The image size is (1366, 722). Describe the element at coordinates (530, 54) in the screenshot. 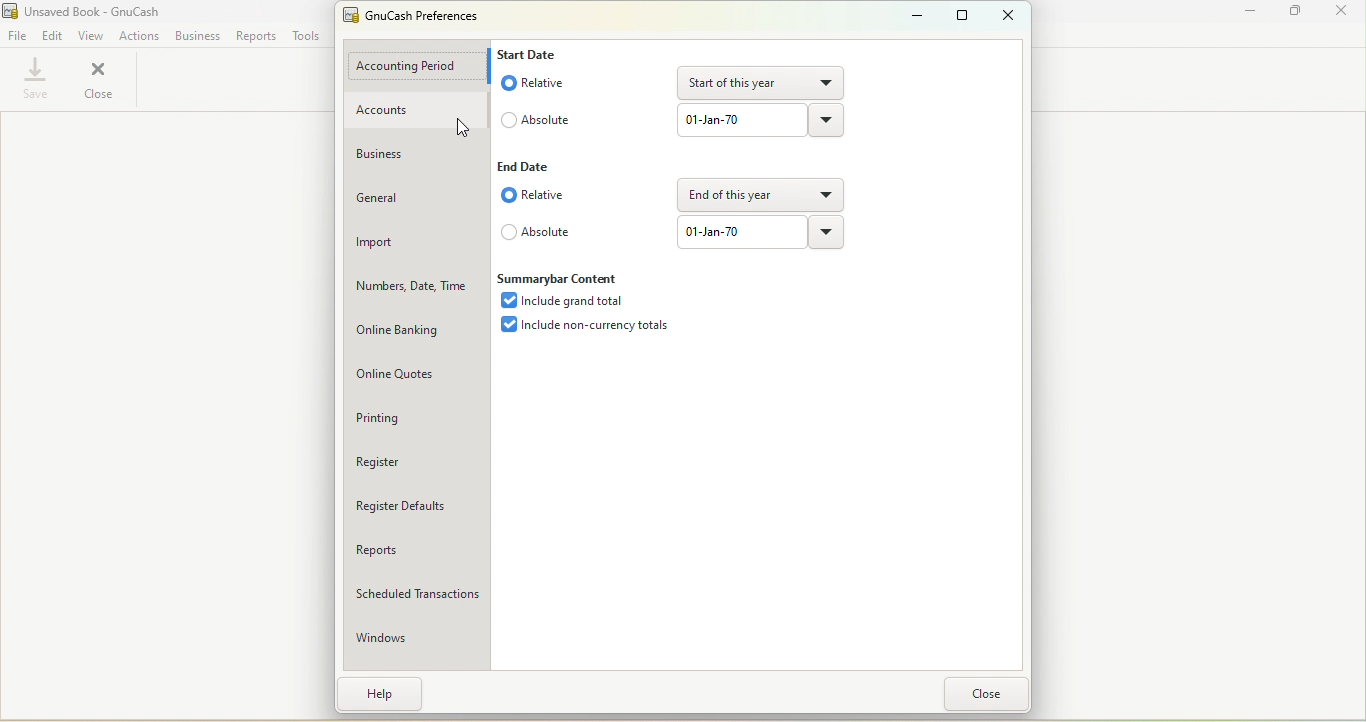

I see `Start date` at that location.